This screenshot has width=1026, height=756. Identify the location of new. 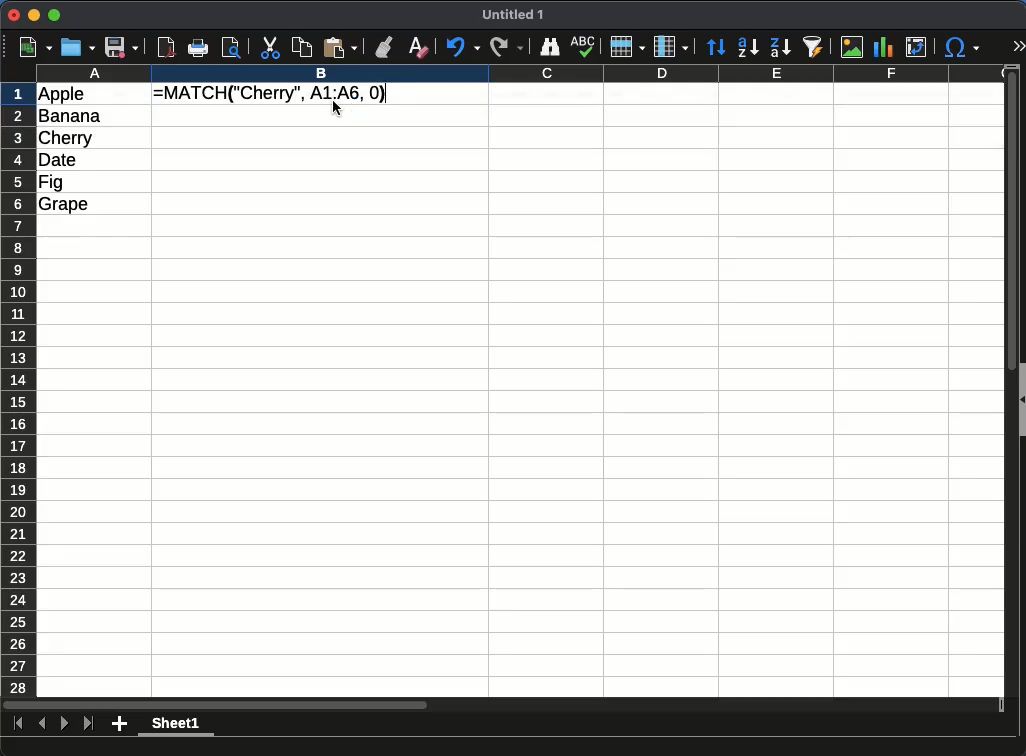
(36, 48).